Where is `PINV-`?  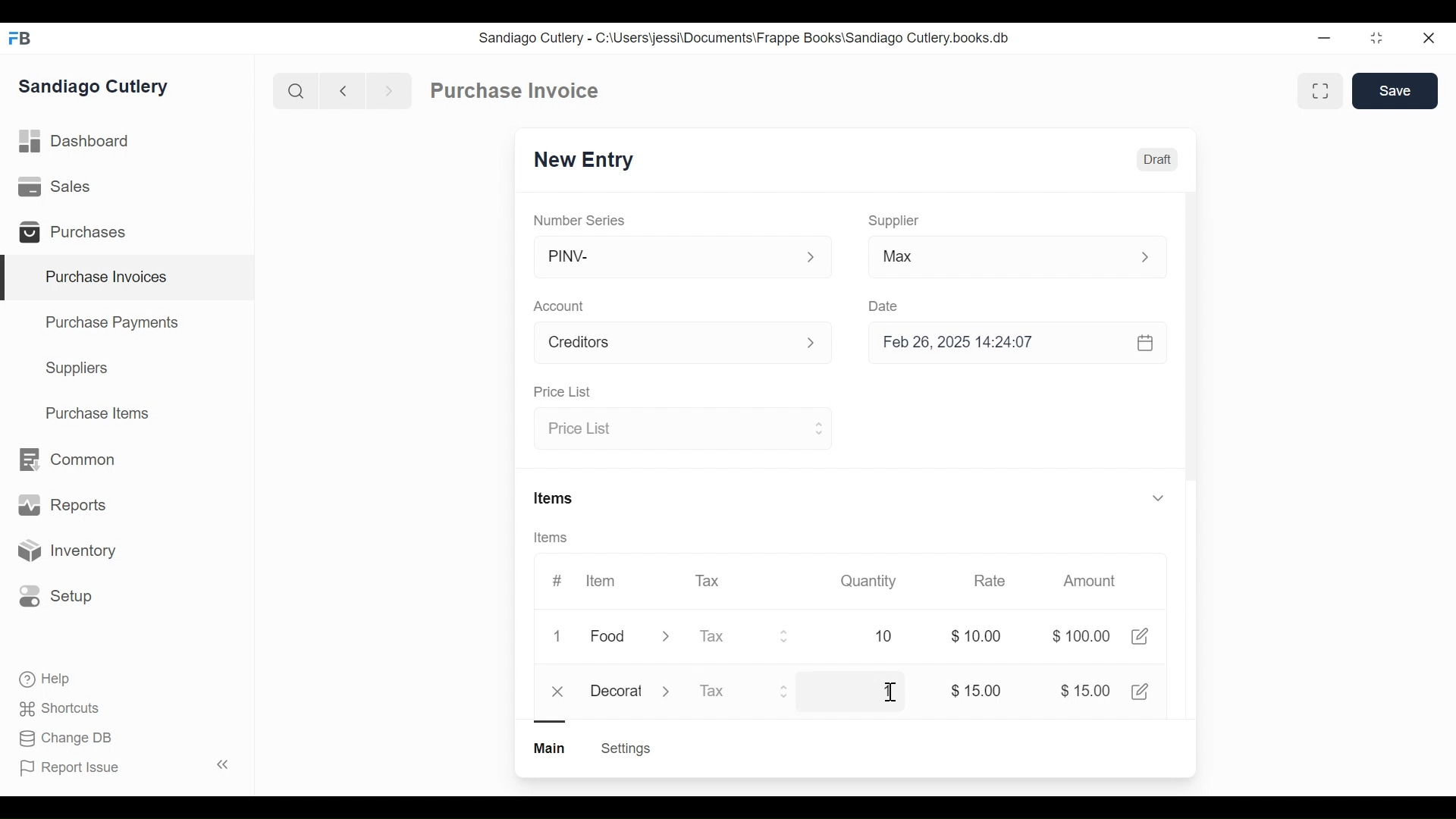
PINV- is located at coordinates (664, 257).